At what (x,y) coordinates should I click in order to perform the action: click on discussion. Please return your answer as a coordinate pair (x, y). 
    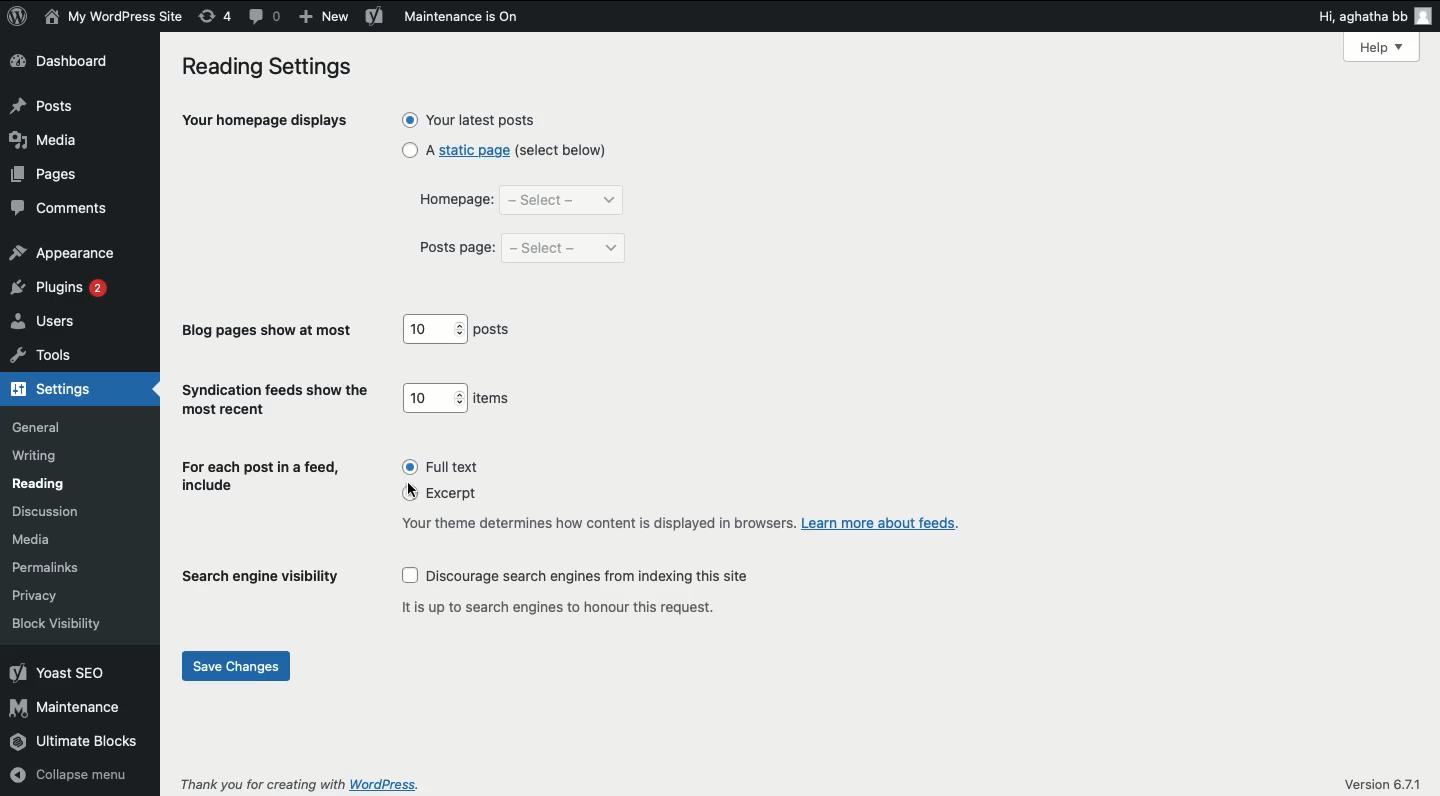
    Looking at the image, I should click on (43, 511).